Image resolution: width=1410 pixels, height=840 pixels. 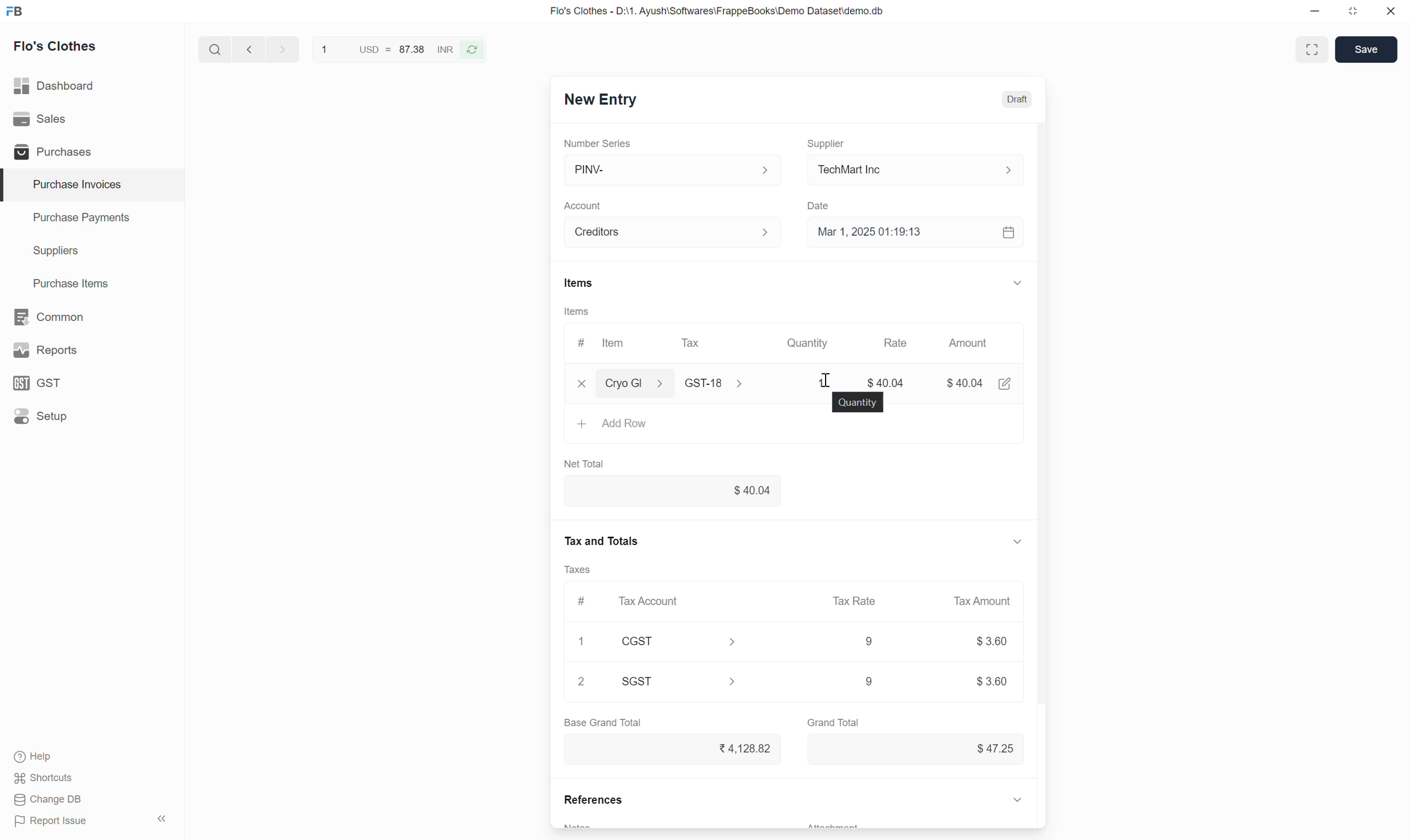 I want to click on Tax and Totals, so click(x=603, y=539).